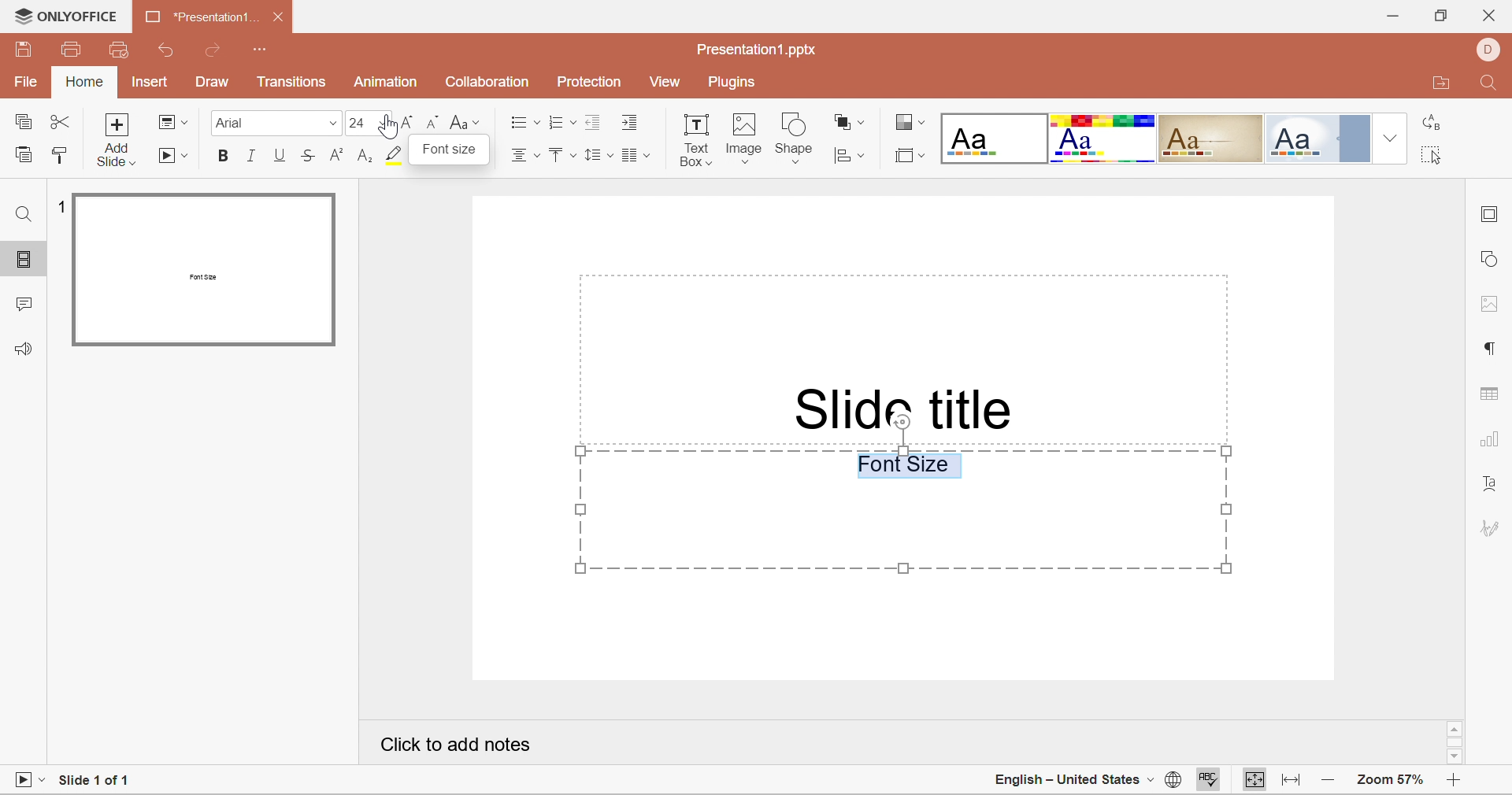 This screenshot has height=795, width=1512. I want to click on Strikethrough, so click(309, 152).